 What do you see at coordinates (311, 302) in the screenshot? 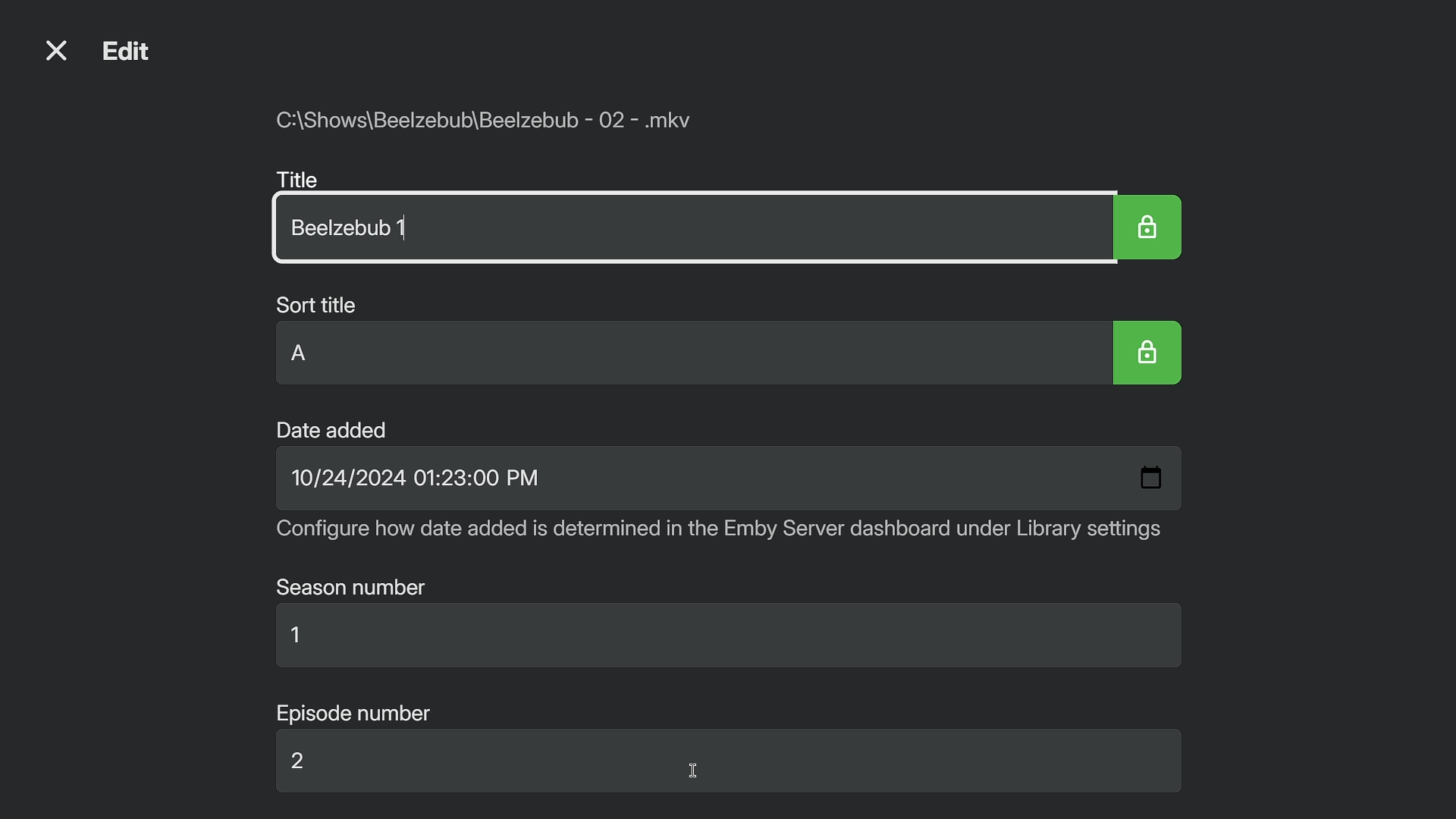
I see `Sort title` at bounding box center [311, 302].